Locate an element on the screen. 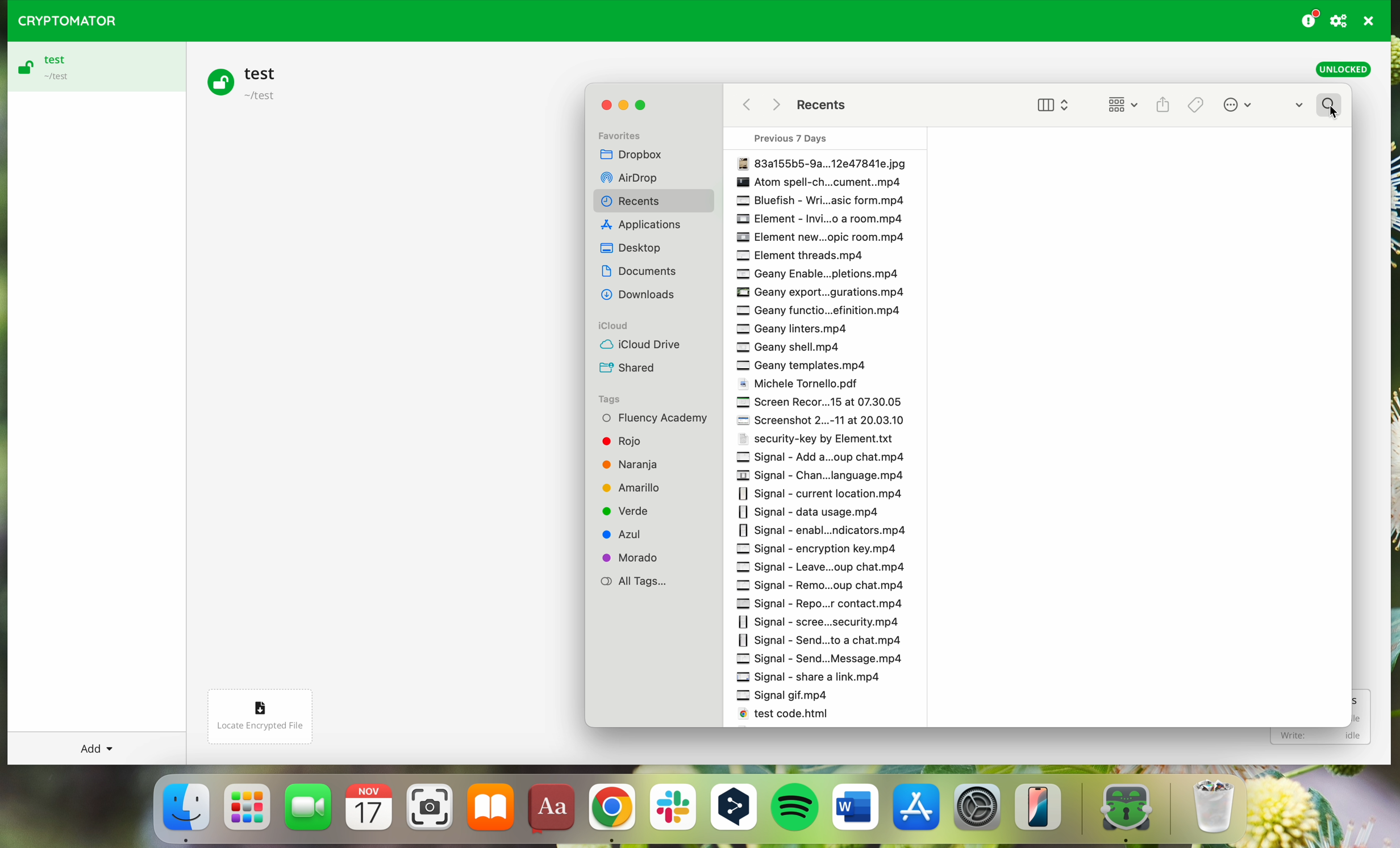 The image size is (1400, 848). calendar is located at coordinates (369, 812).